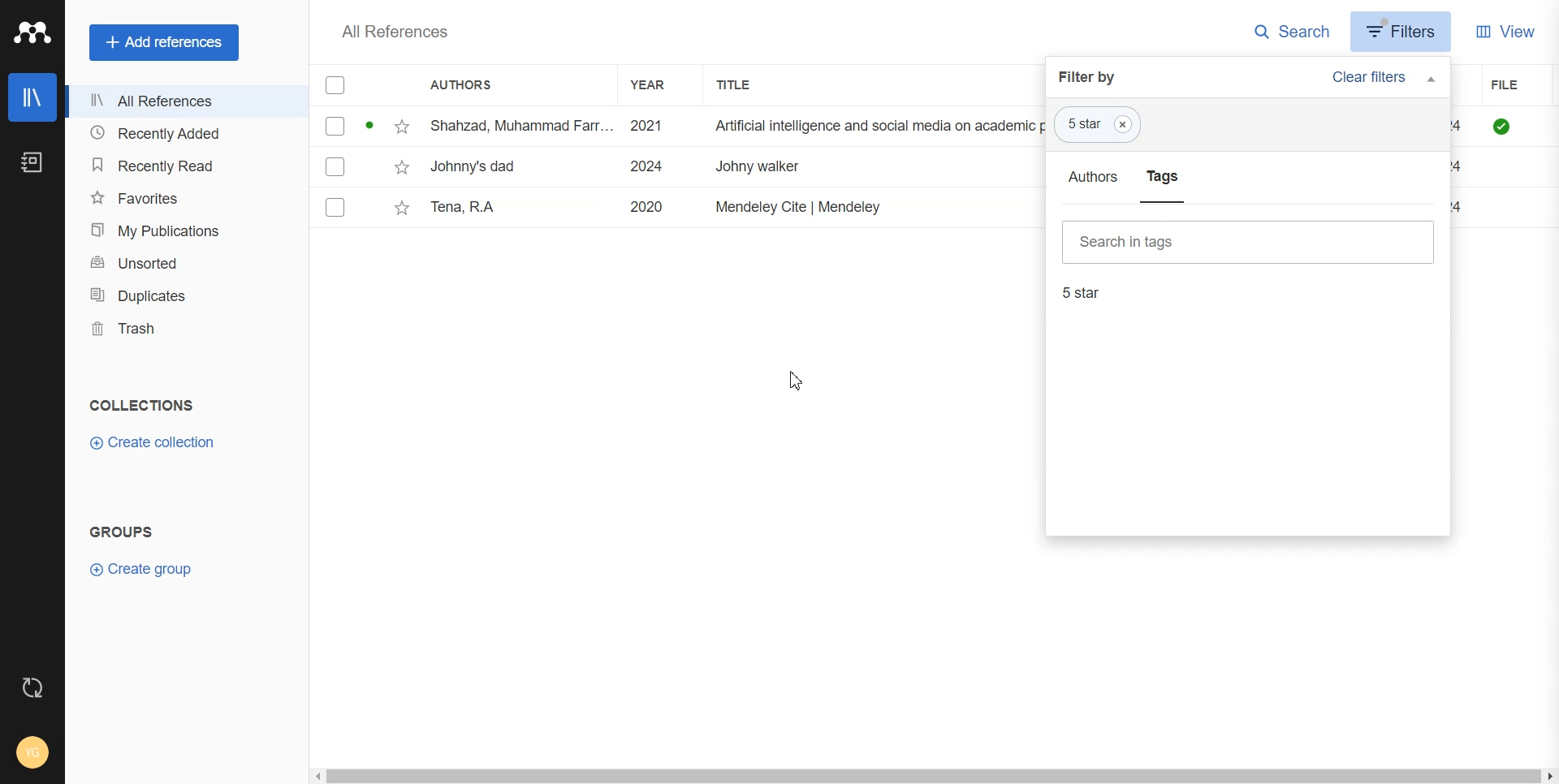  What do you see at coordinates (672, 167) in the screenshot?
I see `File` at bounding box center [672, 167].